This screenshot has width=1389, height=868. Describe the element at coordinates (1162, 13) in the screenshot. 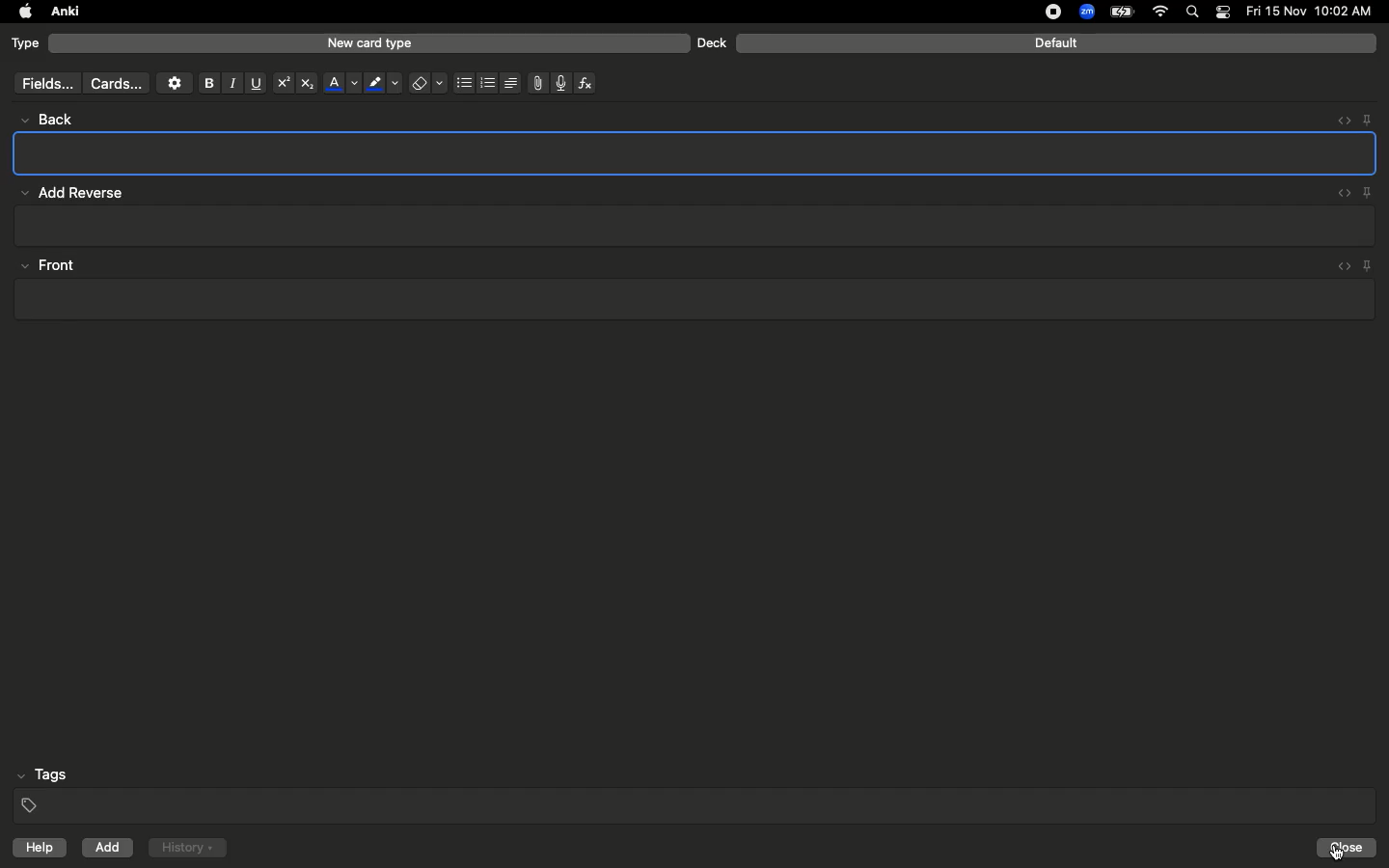

I see `Internet` at that location.